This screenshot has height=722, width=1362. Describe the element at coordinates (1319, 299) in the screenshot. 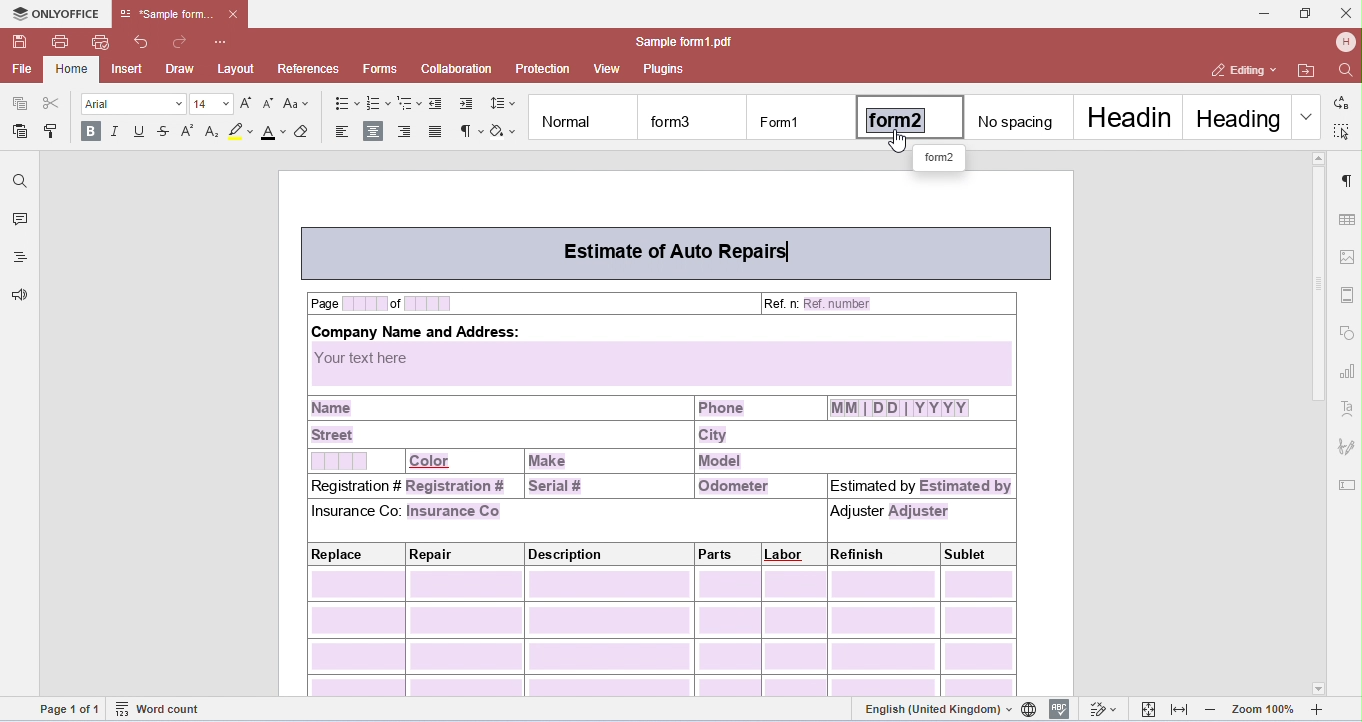

I see `vertical scroll bar` at that location.